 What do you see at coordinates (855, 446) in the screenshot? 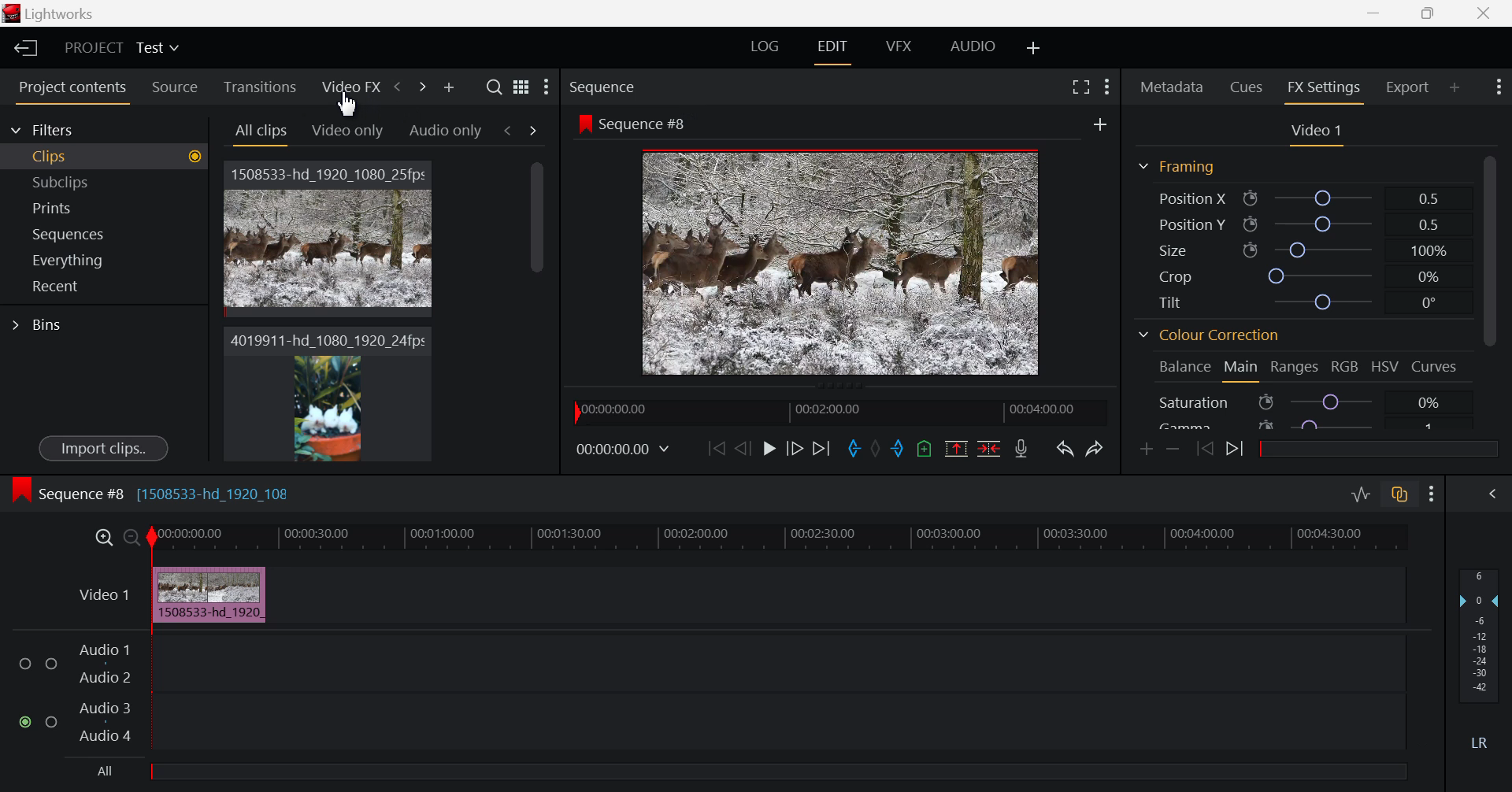
I see `Mark In` at bounding box center [855, 446].